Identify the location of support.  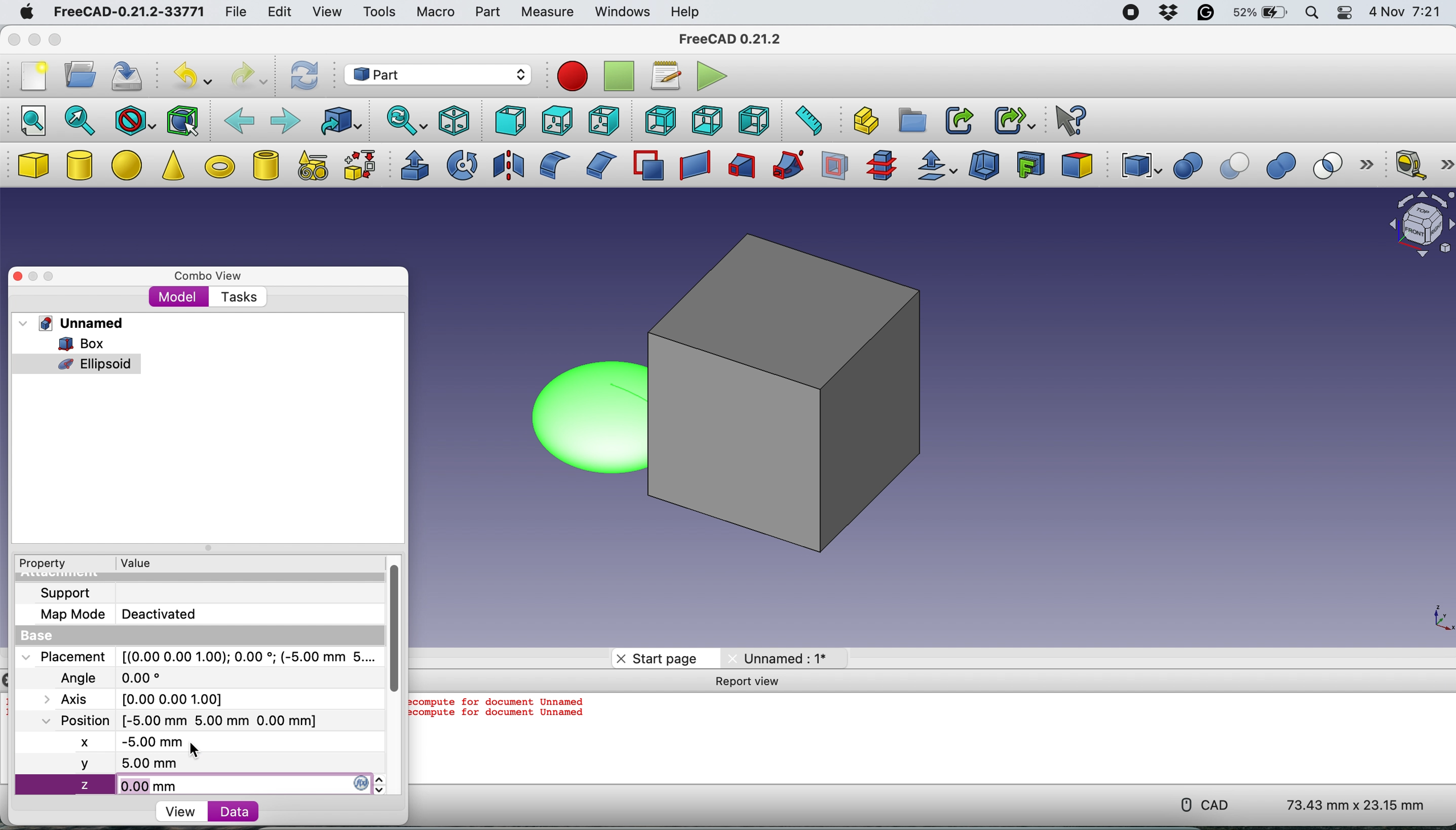
(63, 593).